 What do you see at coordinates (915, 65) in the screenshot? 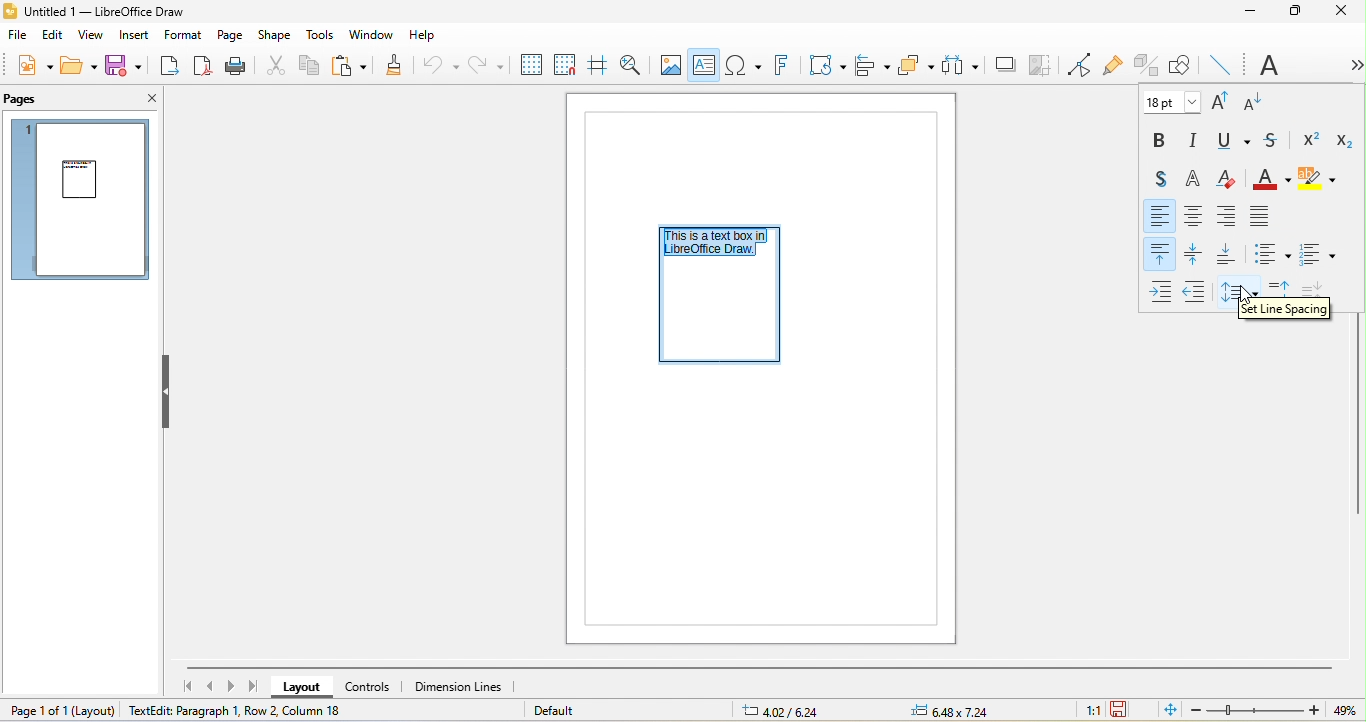
I see `arrange` at bounding box center [915, 65].